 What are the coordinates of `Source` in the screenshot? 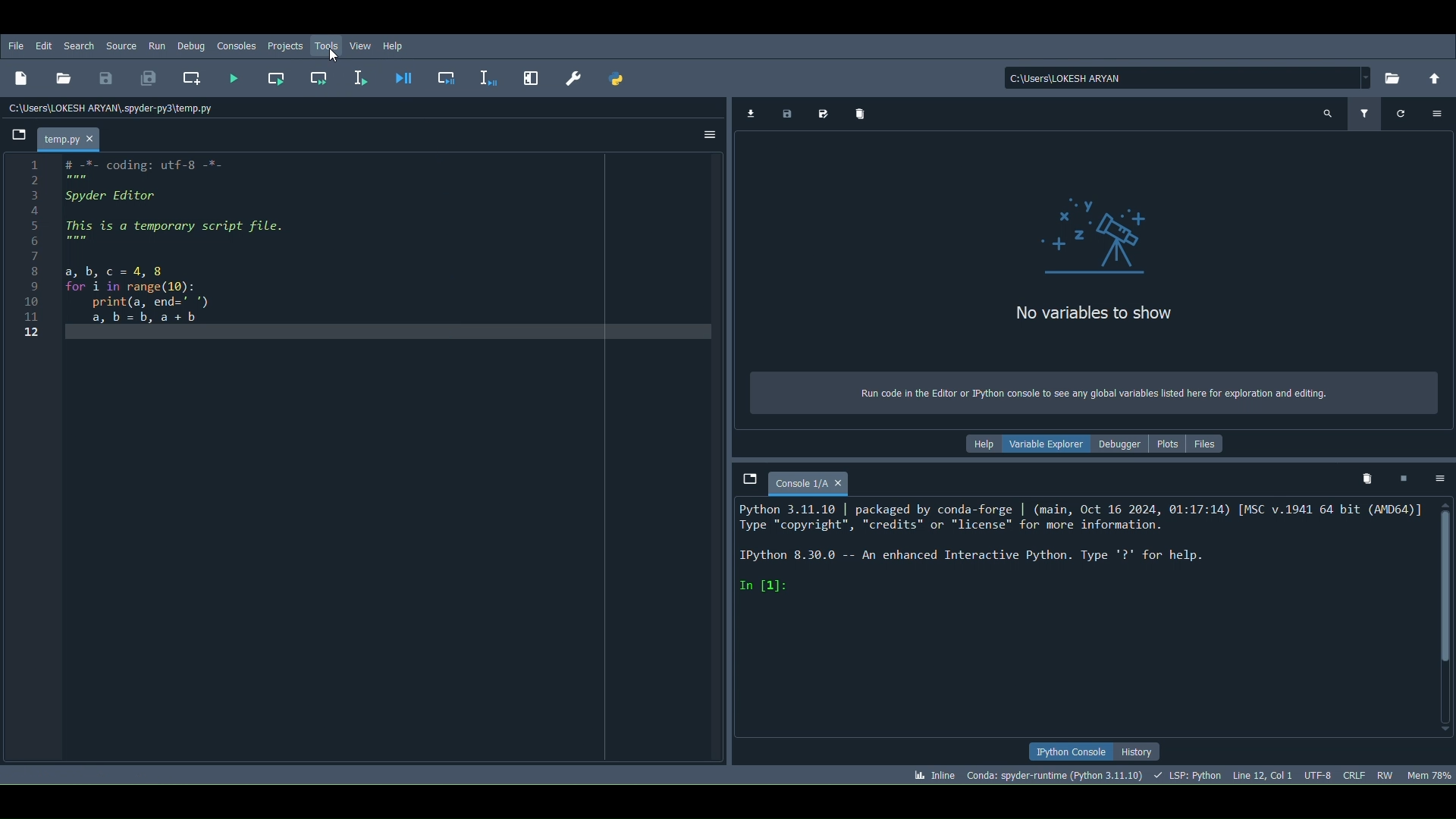 It's located at (124, 45).